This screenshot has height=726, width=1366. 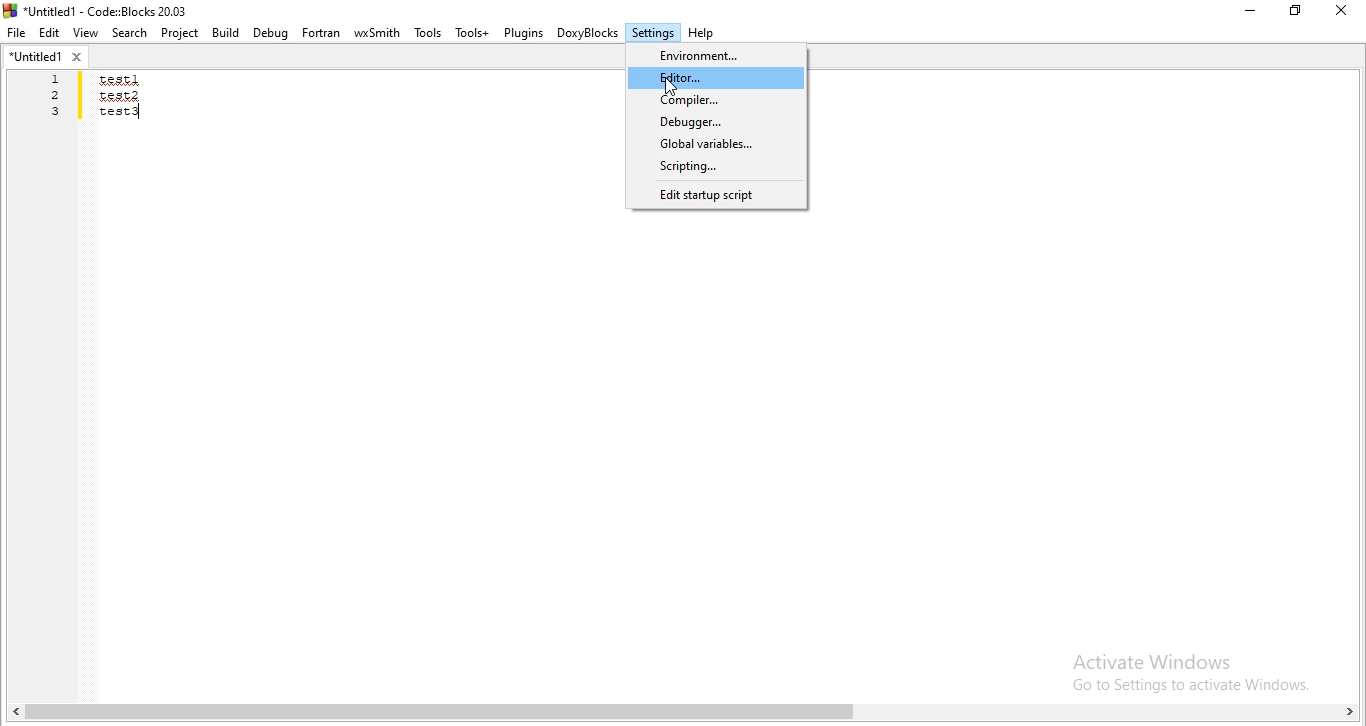 I want to click on Settings , so click(x=653, y=35).